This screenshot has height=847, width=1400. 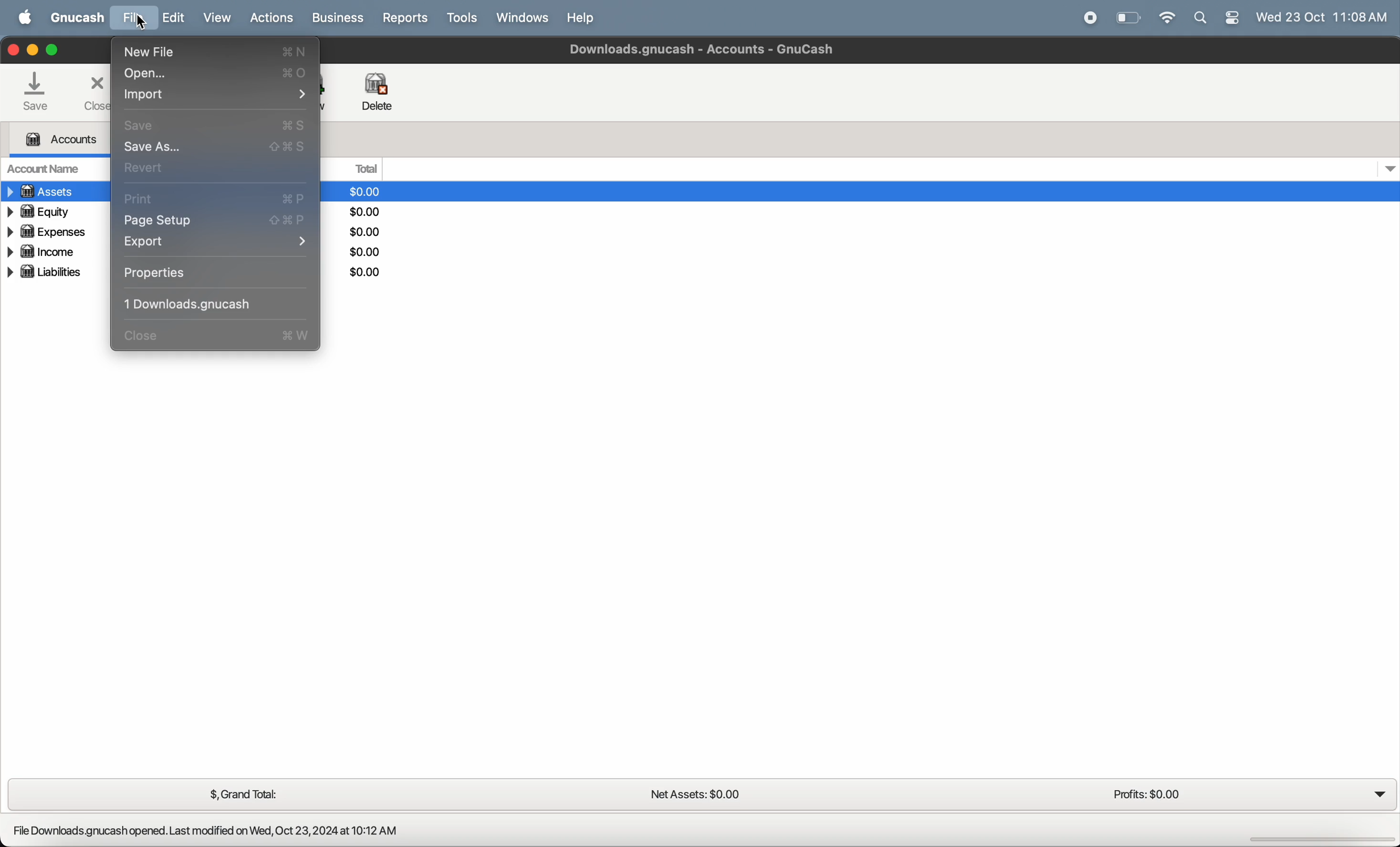 What do you see at coordinates (701, 47) in the screenshot?
I see `Downloads gnucash - Accounts - Gnucash` at bounding box center [701, 47].